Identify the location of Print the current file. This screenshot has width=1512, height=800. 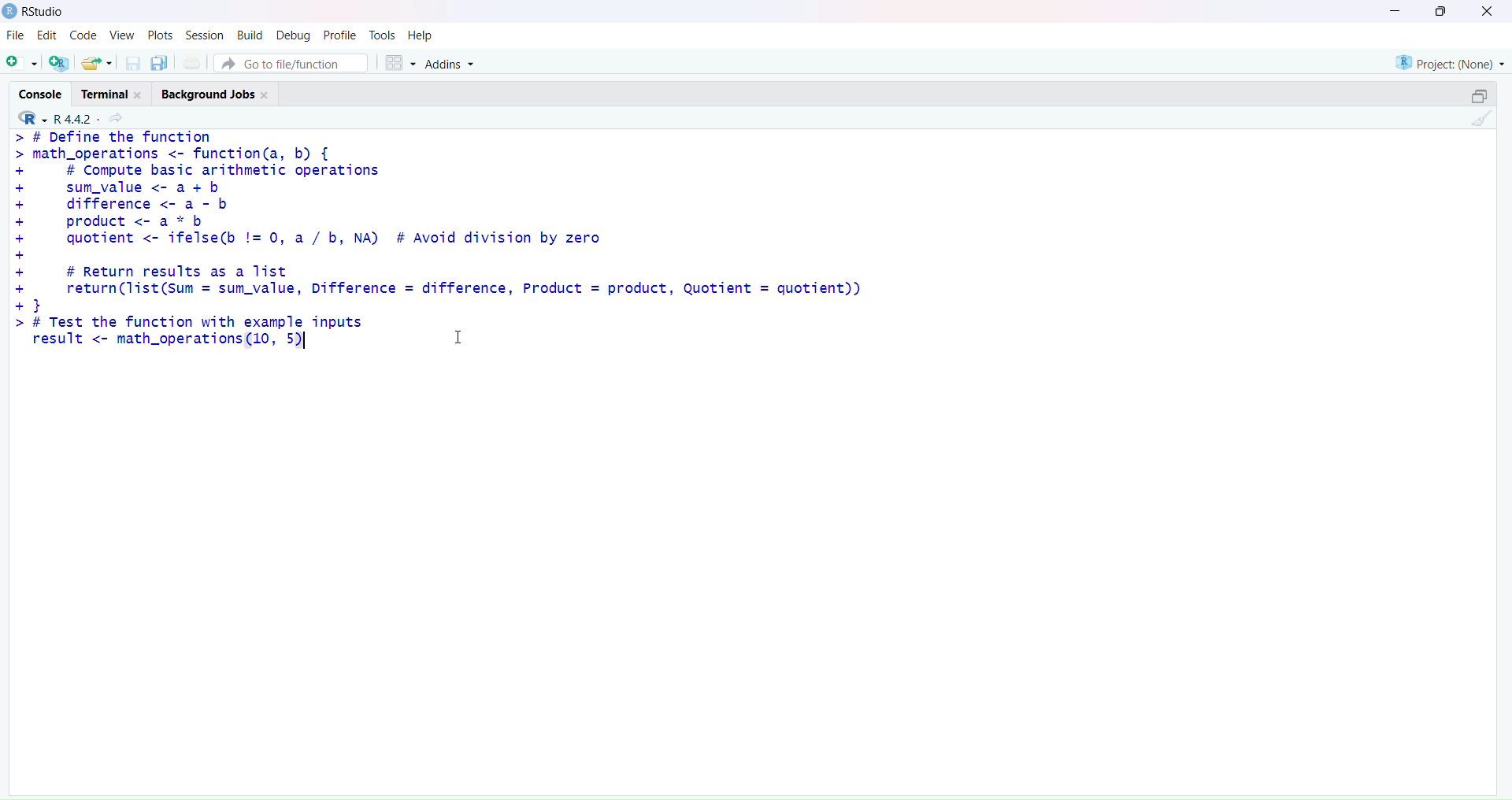
(191, 61).